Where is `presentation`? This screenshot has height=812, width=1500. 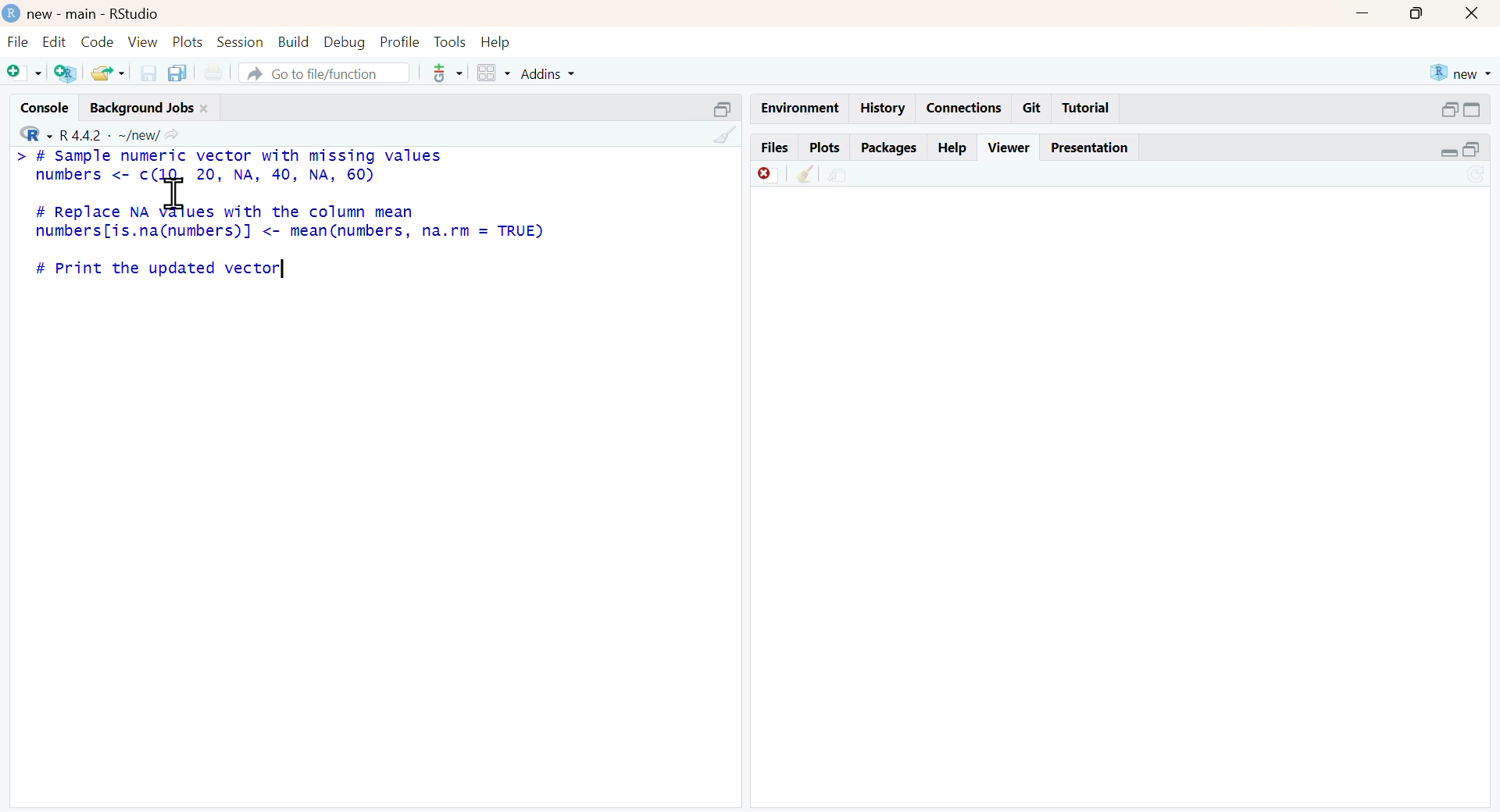
presentation is located at coordinates (1090, 148).